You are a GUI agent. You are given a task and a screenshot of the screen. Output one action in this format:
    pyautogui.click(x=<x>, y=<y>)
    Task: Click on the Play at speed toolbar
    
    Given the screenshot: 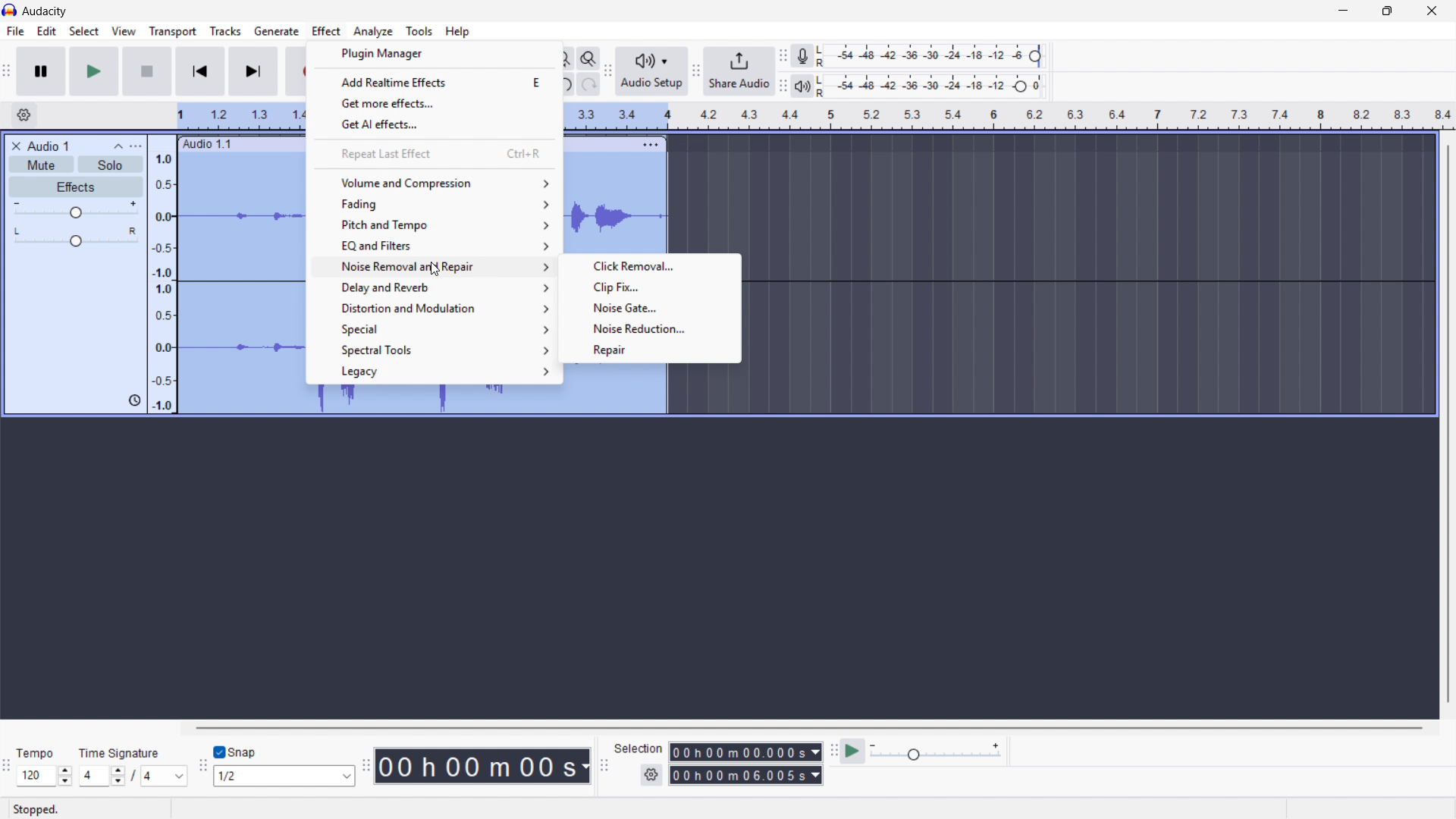 What is the action you would take?
    pyautogui.click(x=831, y=752)
    